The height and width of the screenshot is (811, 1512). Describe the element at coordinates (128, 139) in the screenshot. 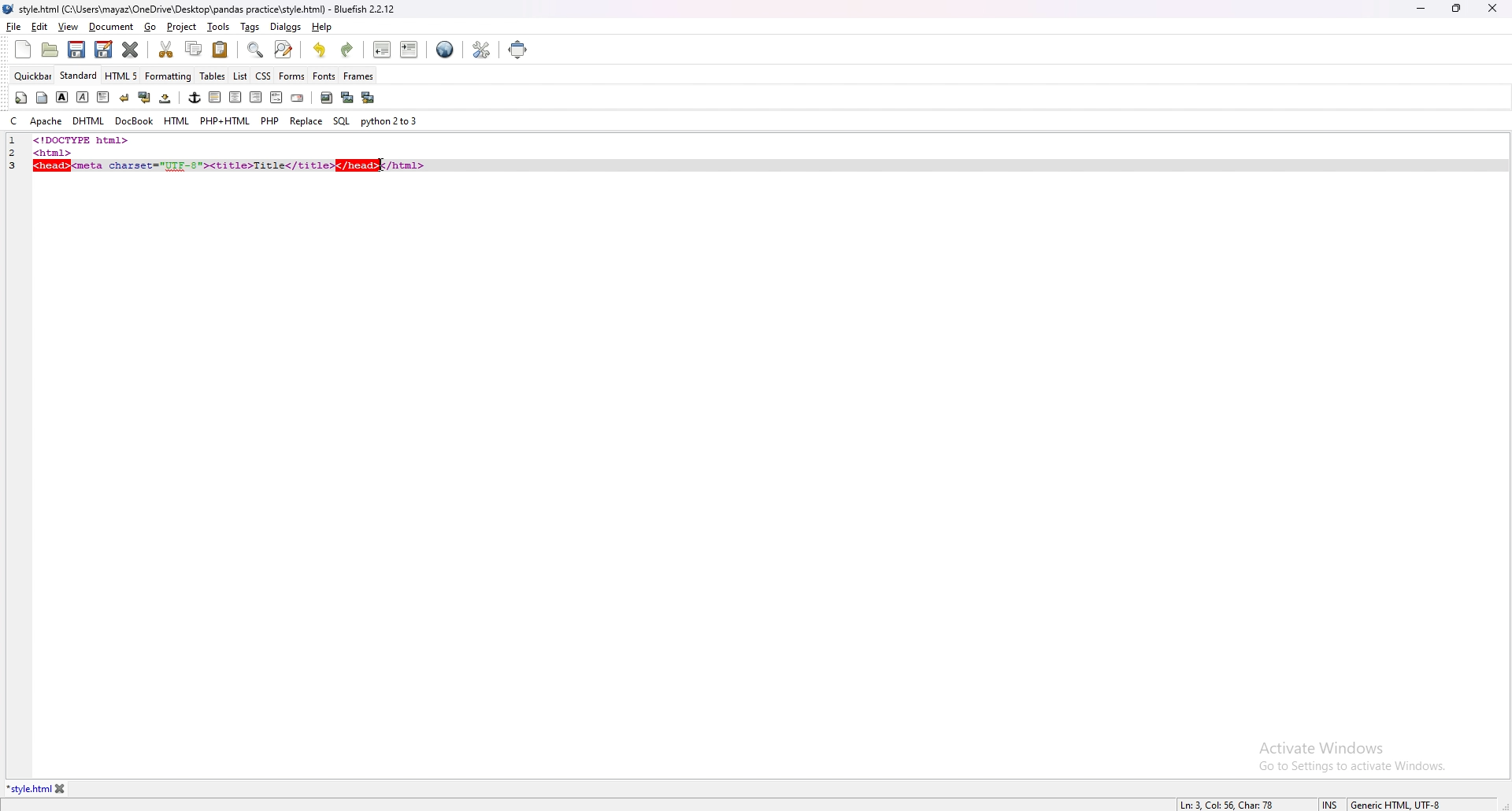

I see `code` at that location.